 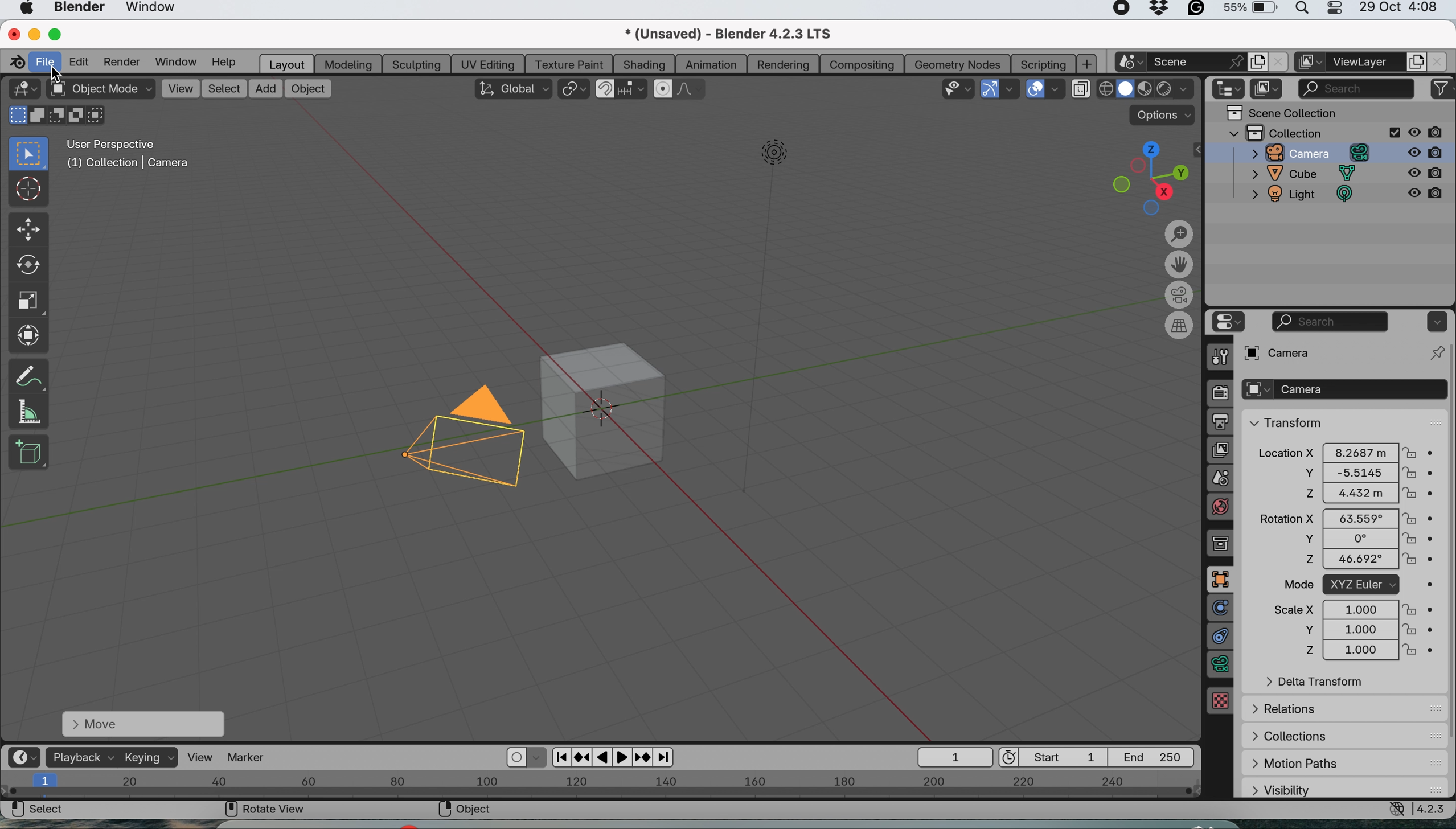 What do you see at coordinates (1222, 578) in the screenshot?
I see `object` at bounding box center [1222, 578].